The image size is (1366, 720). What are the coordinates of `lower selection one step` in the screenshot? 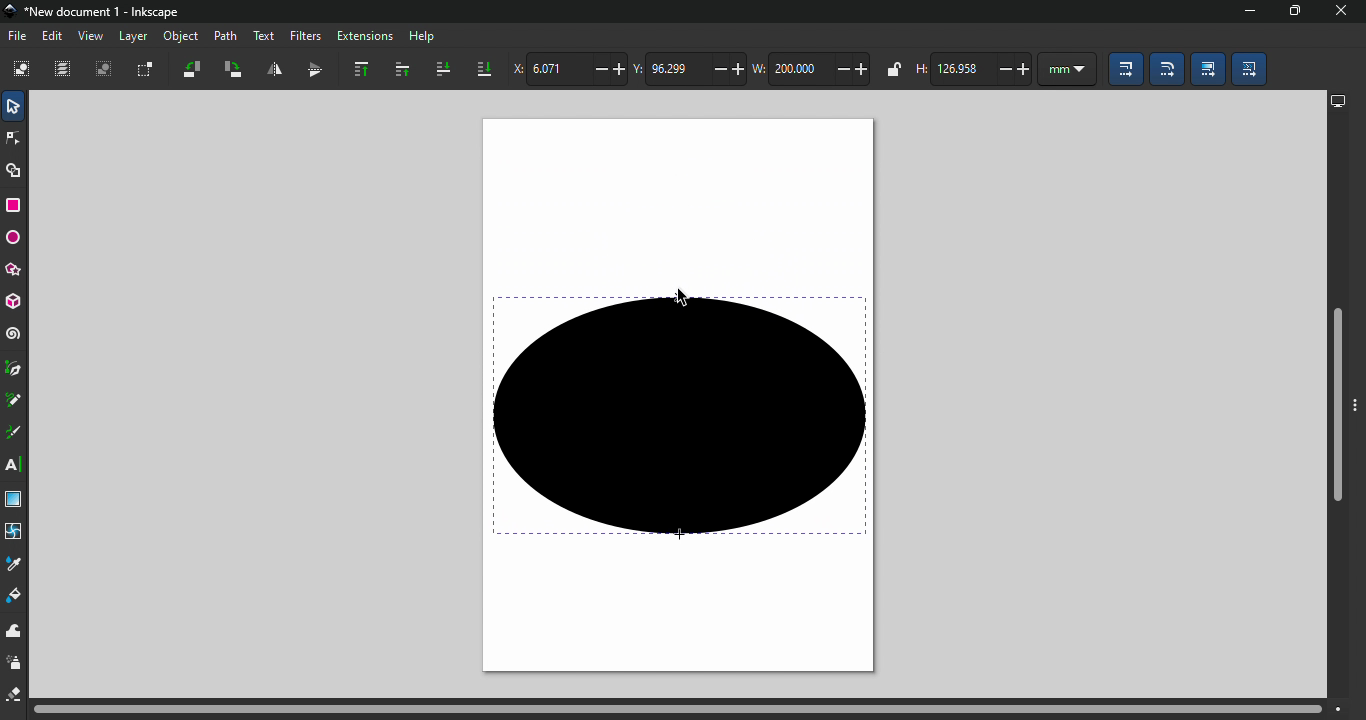 It's located at (444, 70).